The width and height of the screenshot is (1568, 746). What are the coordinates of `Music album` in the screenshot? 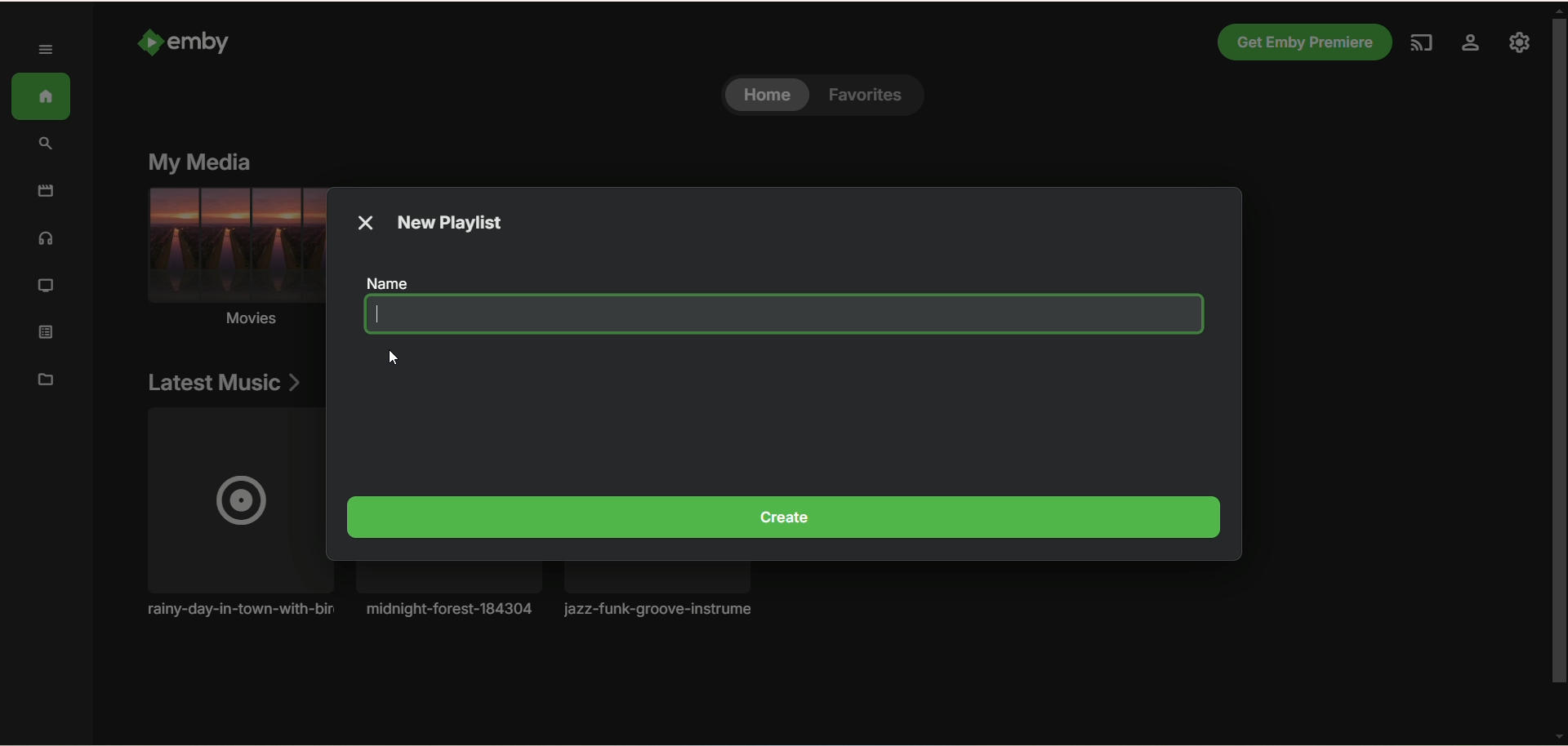 It's located at (232, 513).